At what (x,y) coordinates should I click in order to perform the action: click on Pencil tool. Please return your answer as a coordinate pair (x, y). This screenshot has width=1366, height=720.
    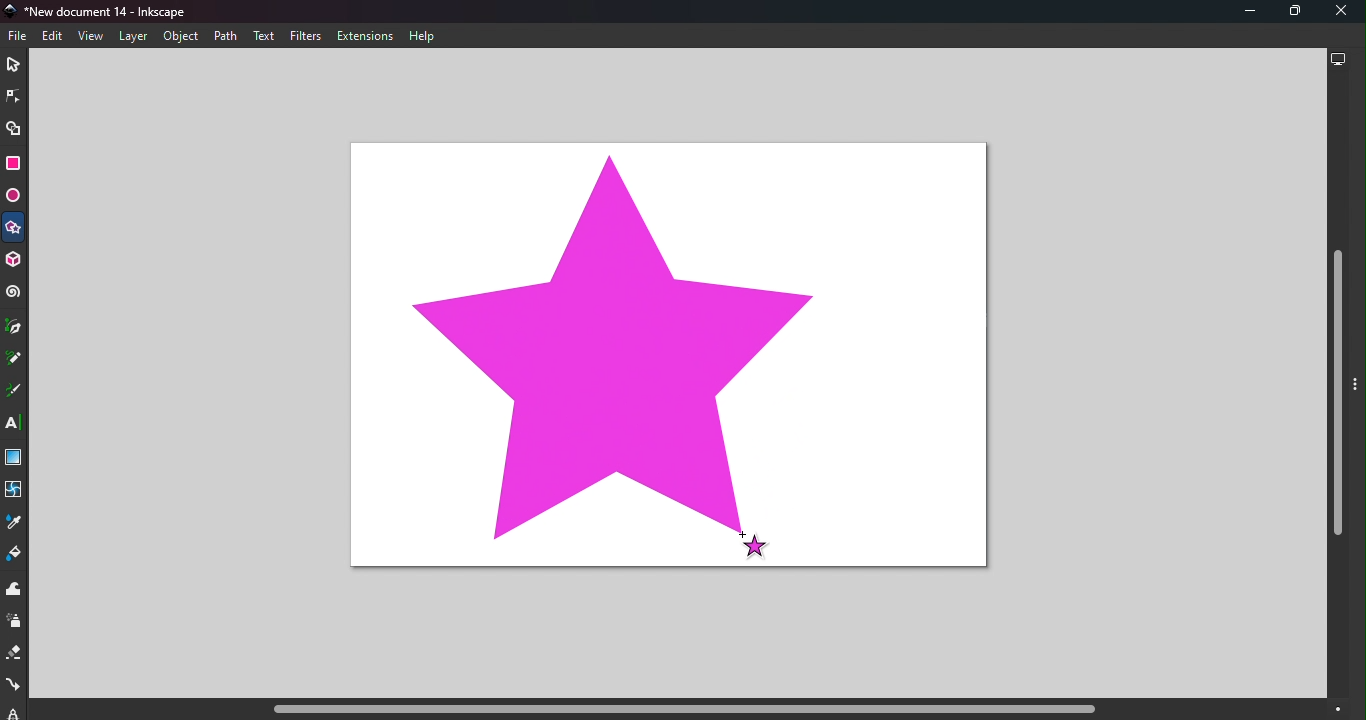
    Looking at the image, I should click on (14, 360).